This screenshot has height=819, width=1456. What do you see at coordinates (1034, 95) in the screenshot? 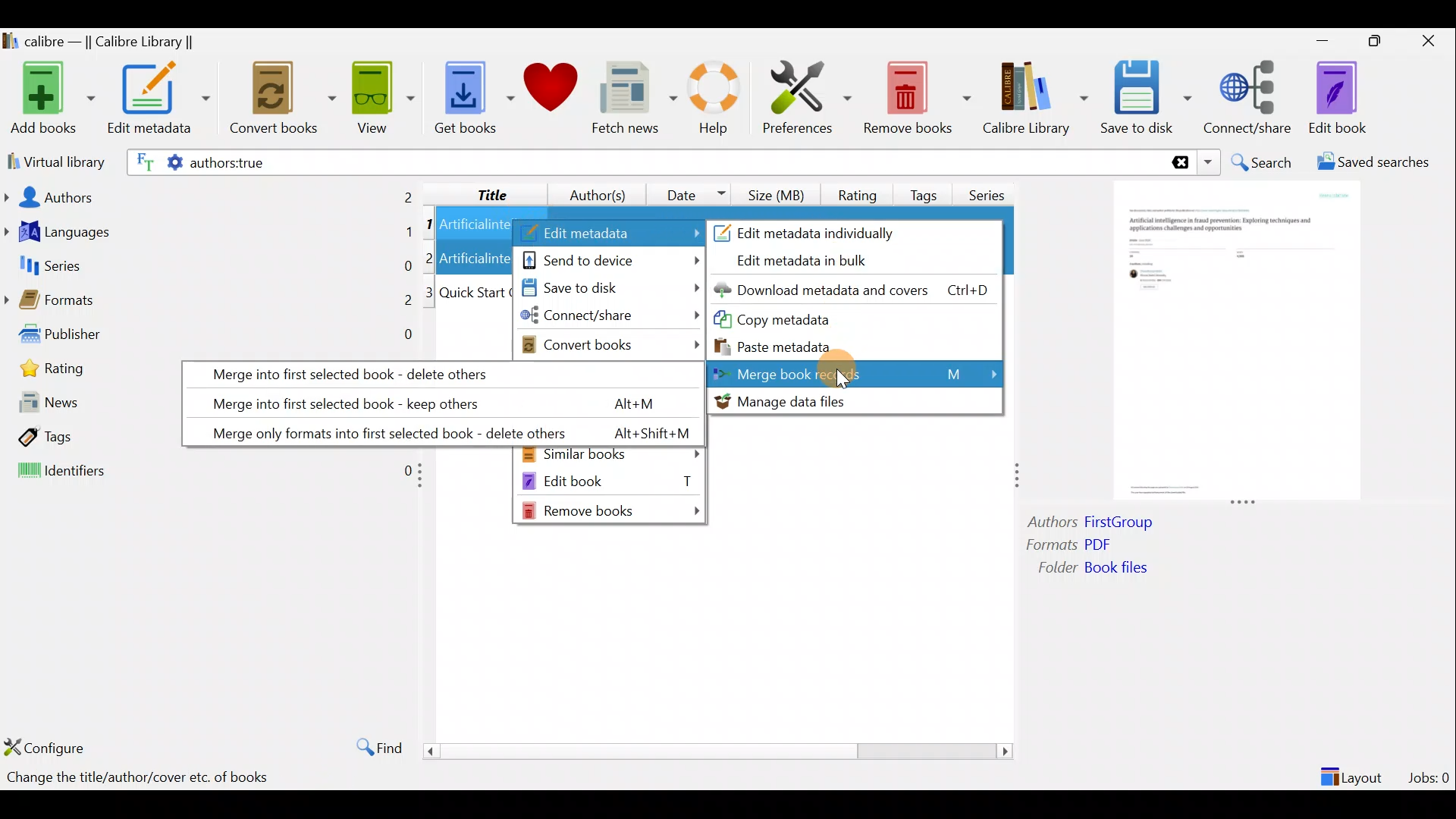
I see `Calibre library` at bounding box center [1034, 95].